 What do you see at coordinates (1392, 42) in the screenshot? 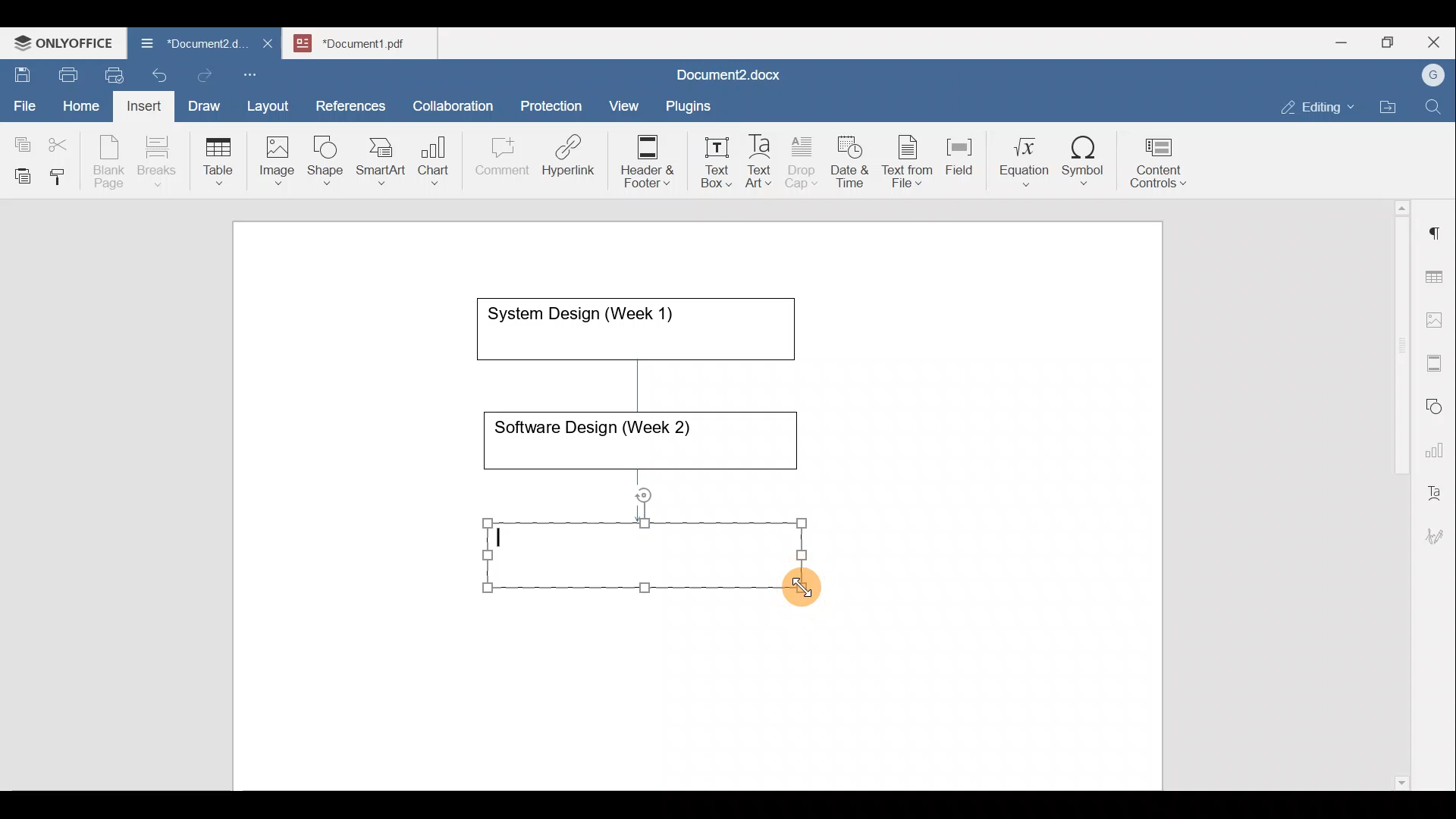
I see `Maximize` at bounding box center [1392, 42].